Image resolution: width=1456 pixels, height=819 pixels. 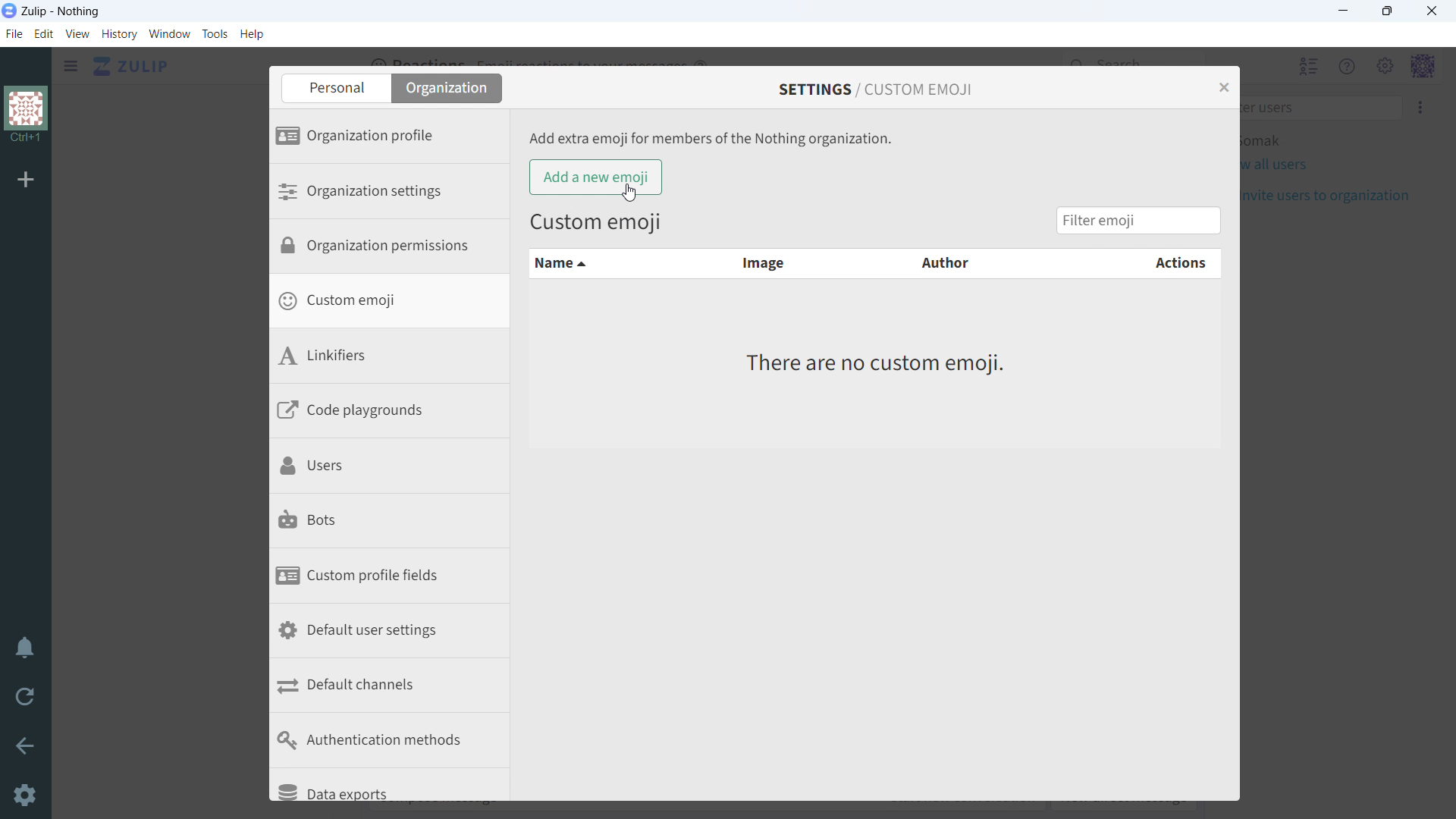 What do you see at coordinates (78, 34) in the screenshot?
I see `view` at bounding box center [78, 34].